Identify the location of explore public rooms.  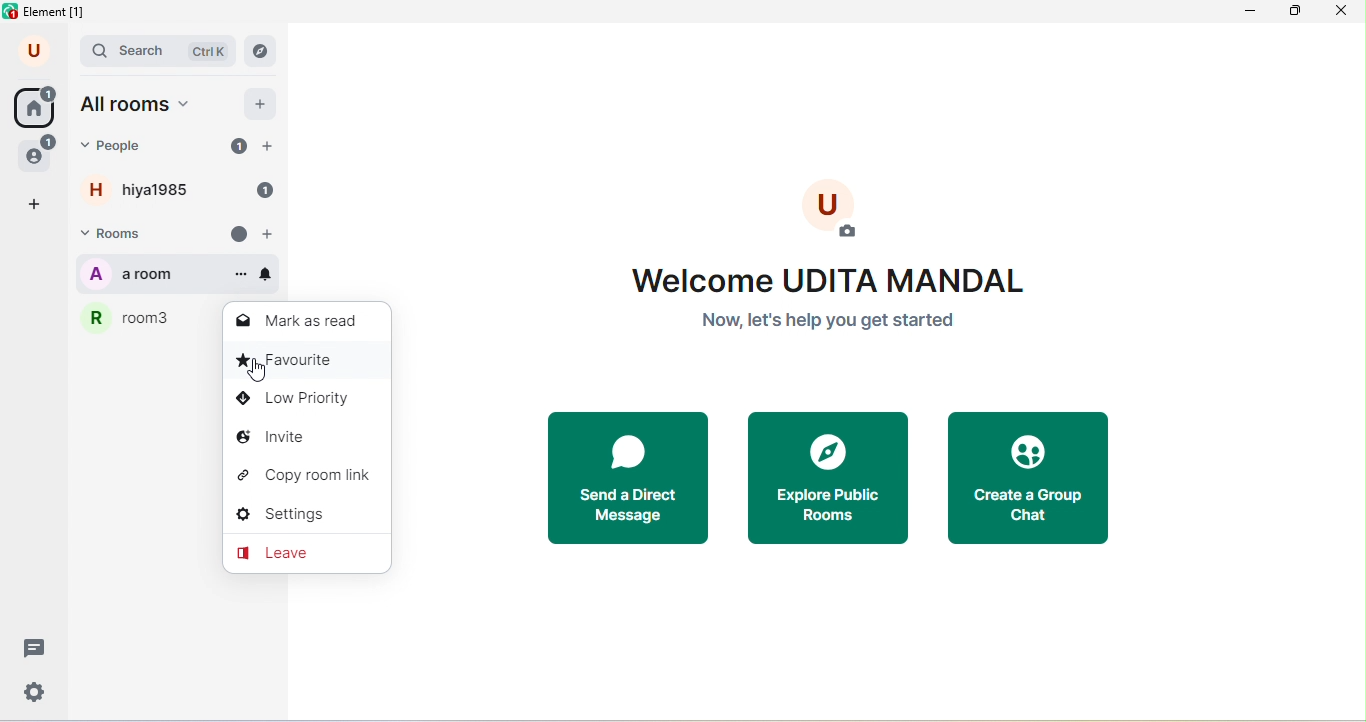
(836, 481).